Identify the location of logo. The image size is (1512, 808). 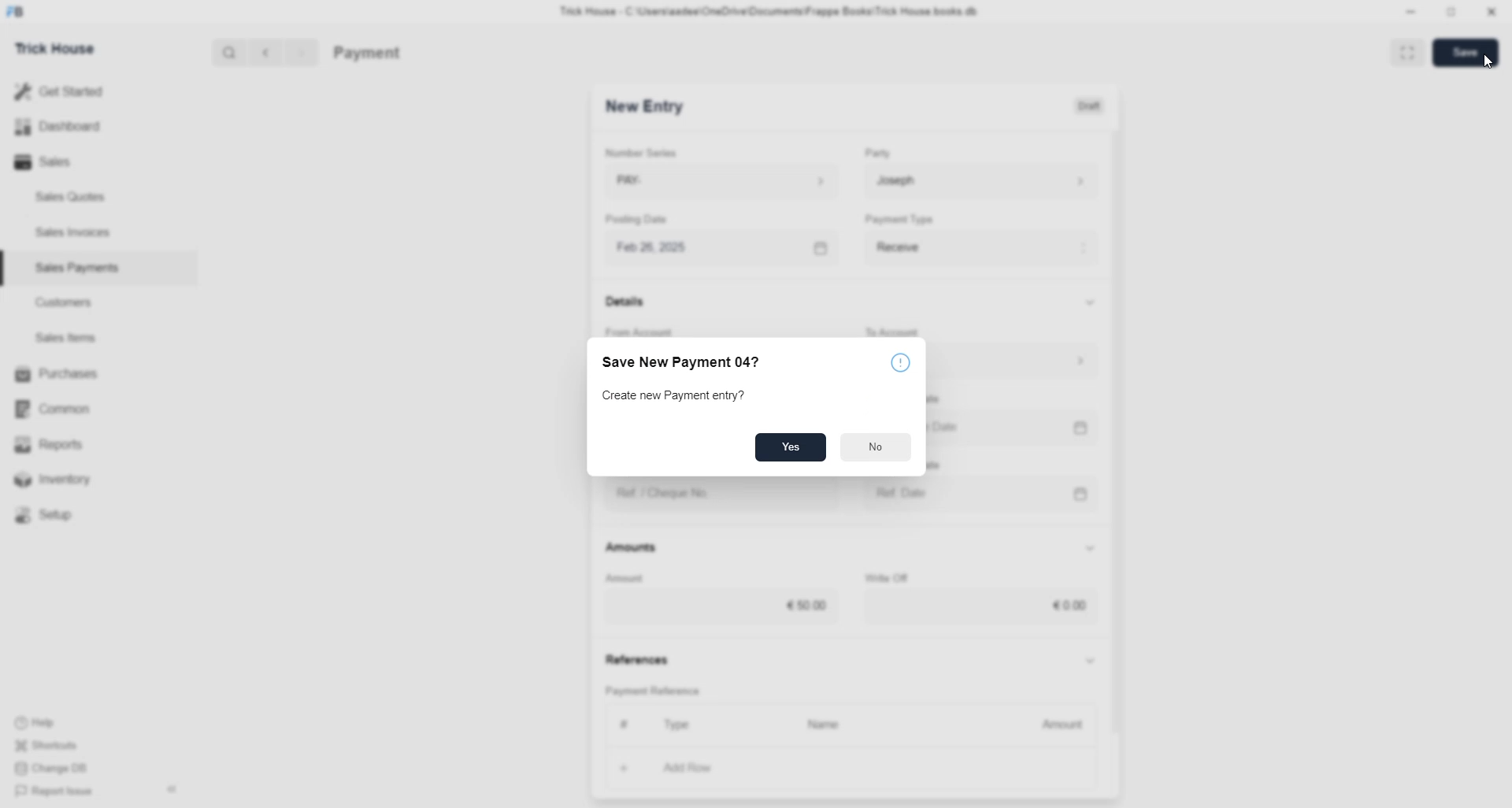
(17, 12).